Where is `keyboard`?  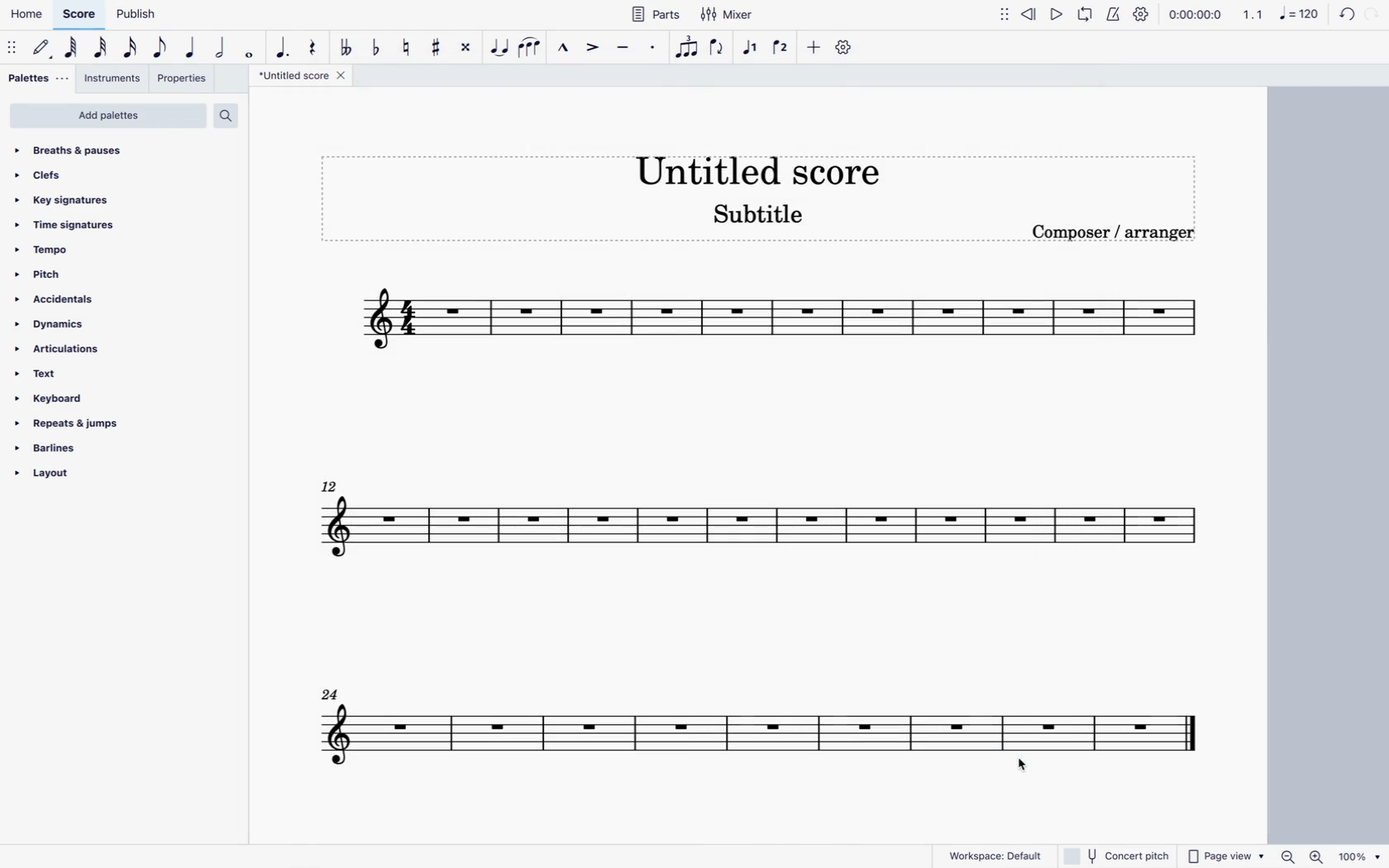 keyboard is located at coordinates (51, 398).